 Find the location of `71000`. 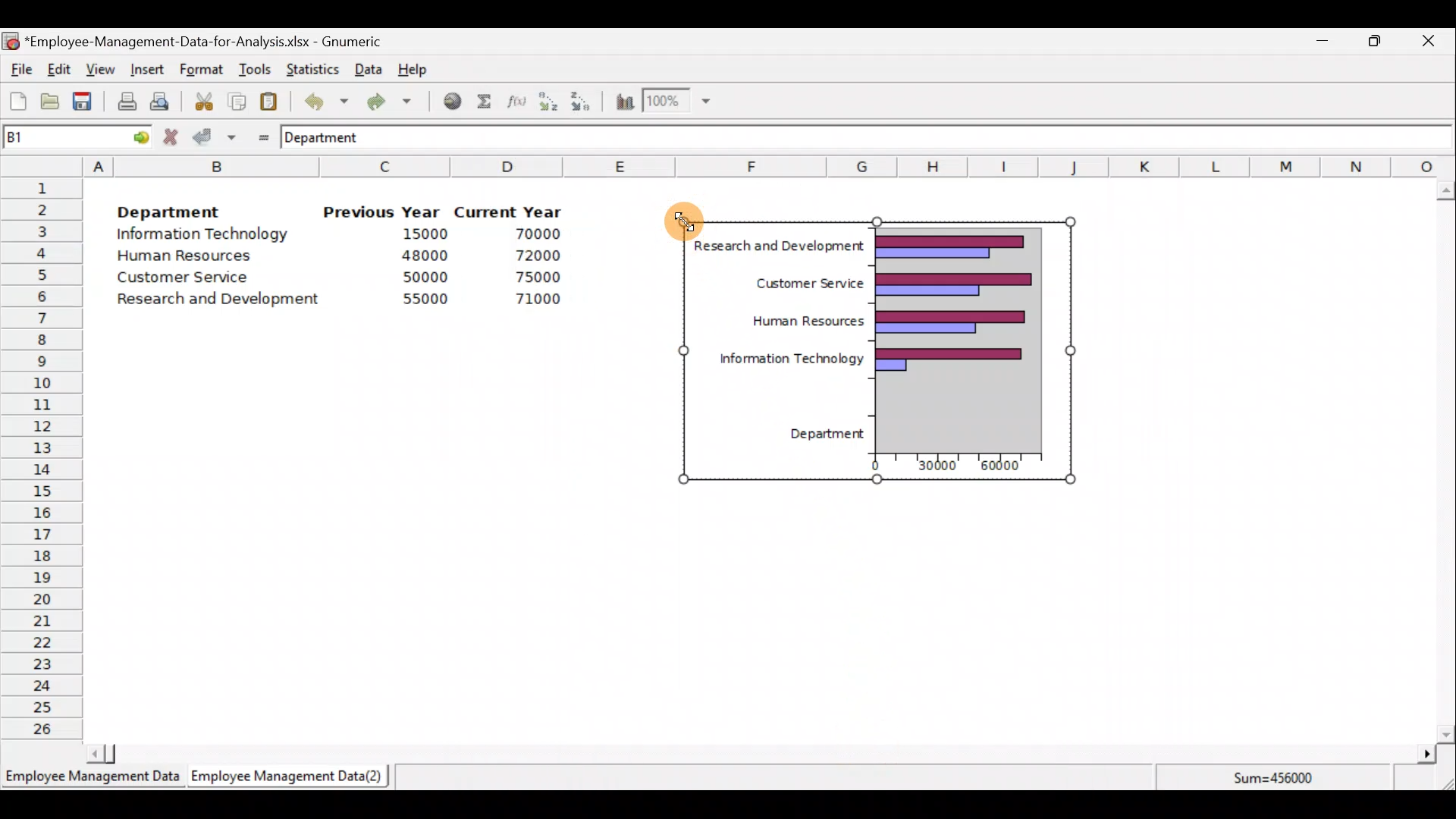

71000 is located at coordinates (533, 299).